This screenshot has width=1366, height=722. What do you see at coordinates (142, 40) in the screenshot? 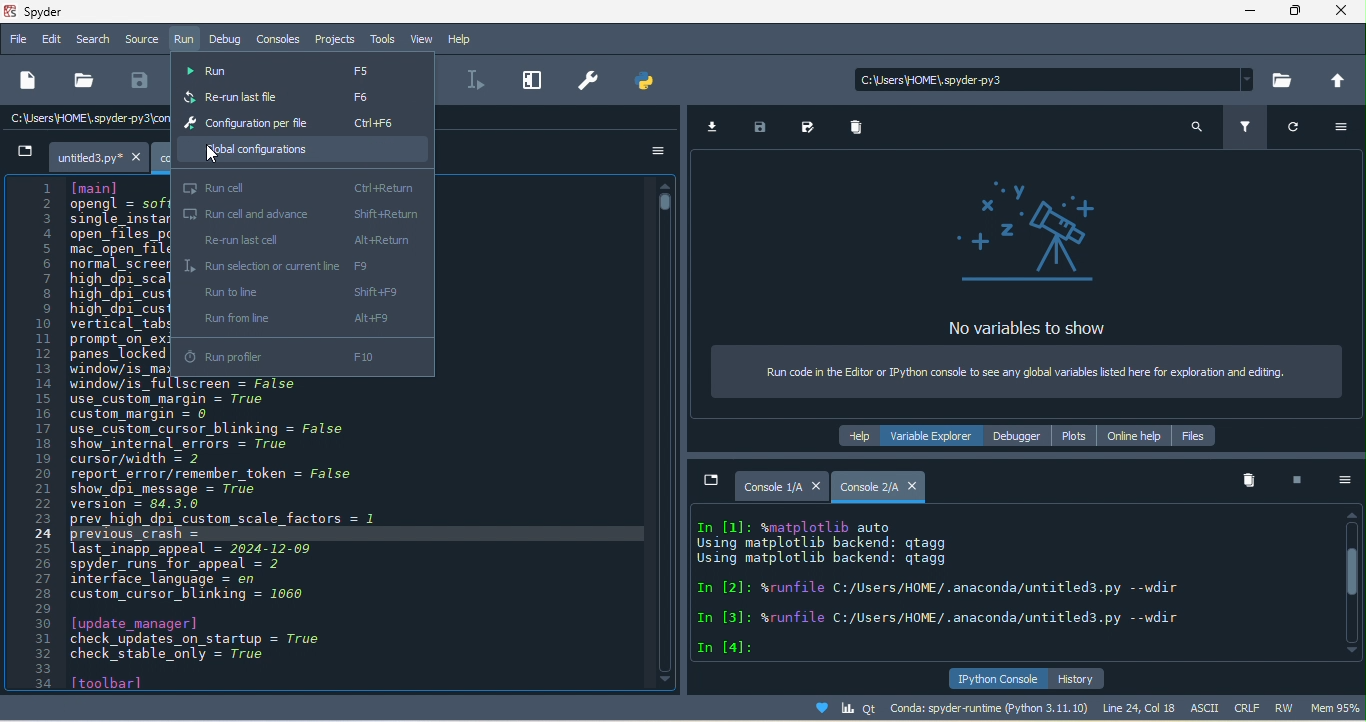
I see `source` at bounding box center [142, 40].